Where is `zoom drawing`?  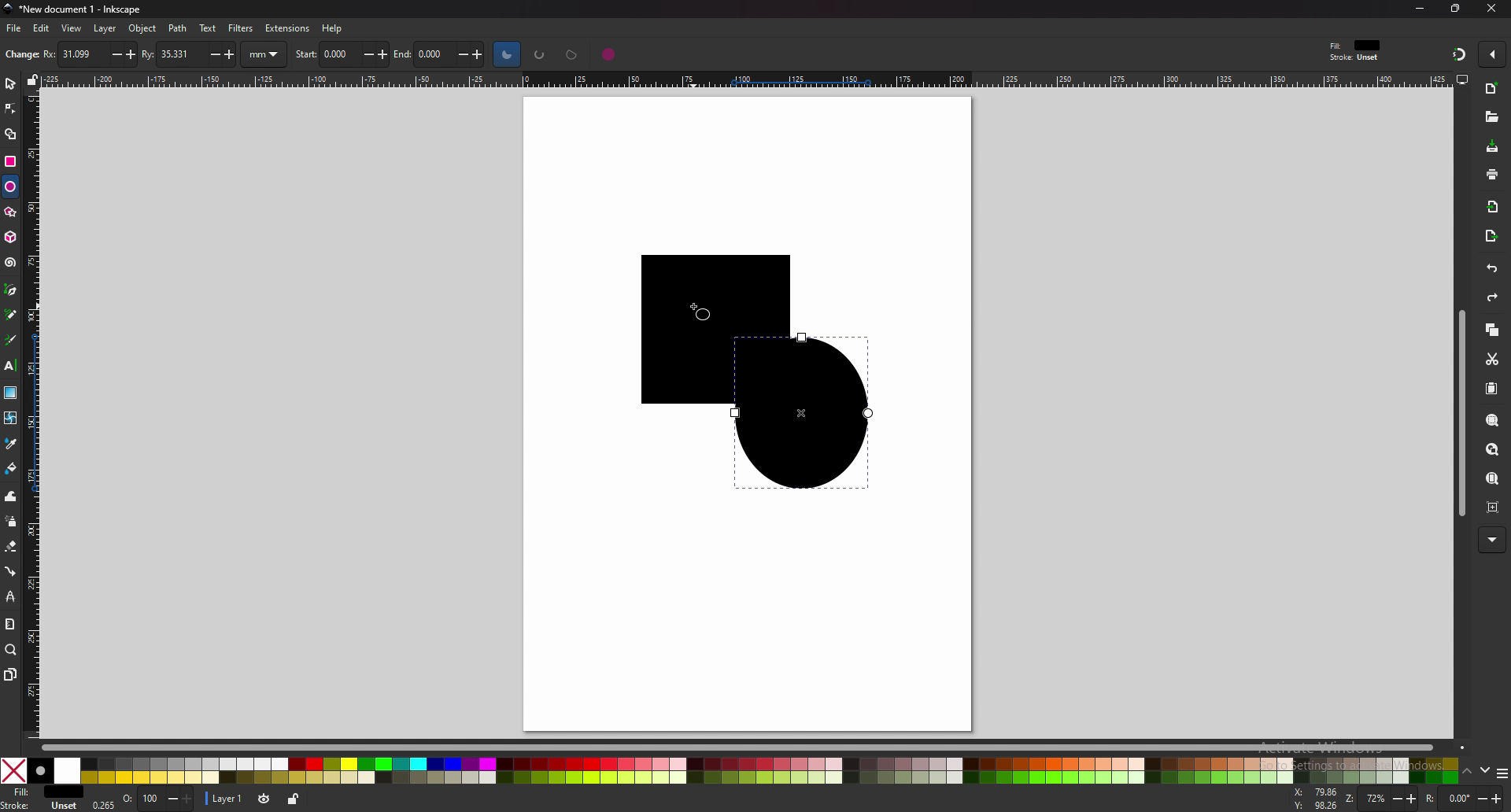
zoom drawing is located at coordinates (1492, 449).